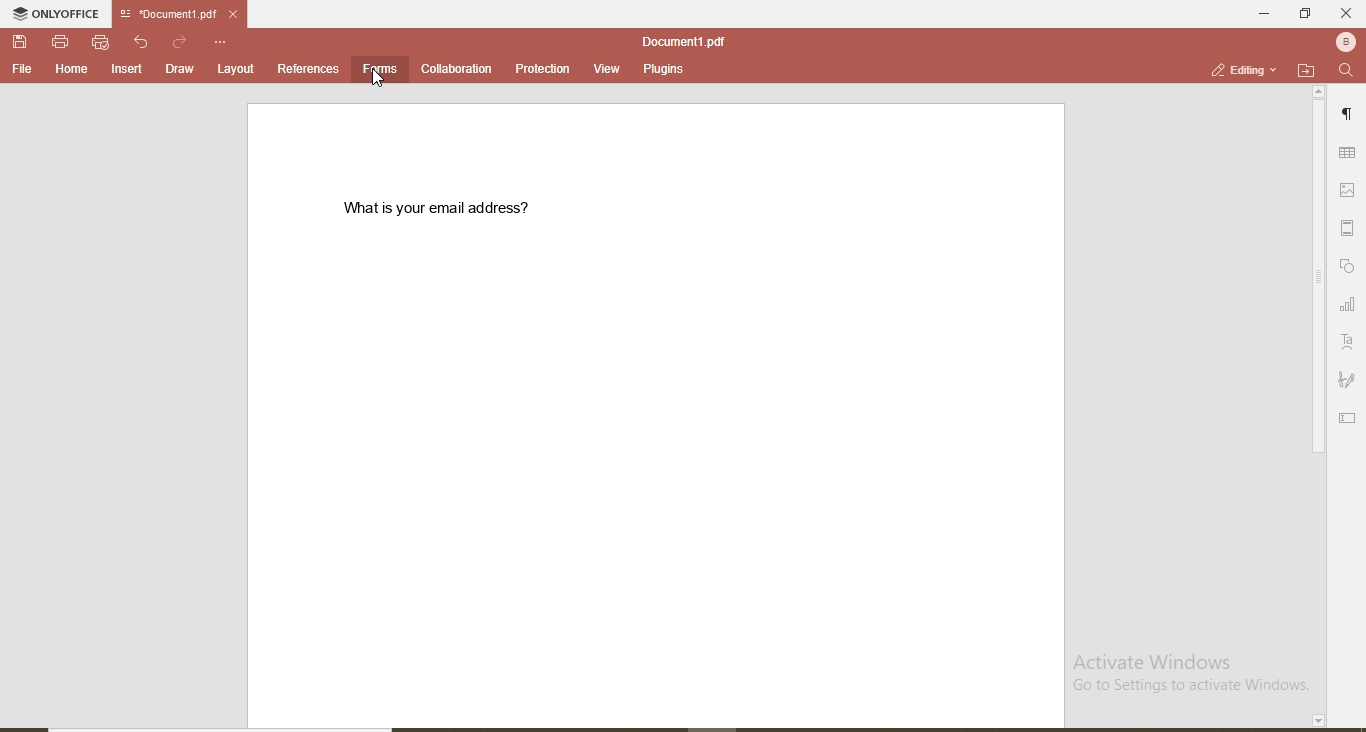 The width and height of the screenshot is (1366, 732). What do you see at coordinates (60, 40) in the screenshot?
I see `print` at bounding box center [60, 40].